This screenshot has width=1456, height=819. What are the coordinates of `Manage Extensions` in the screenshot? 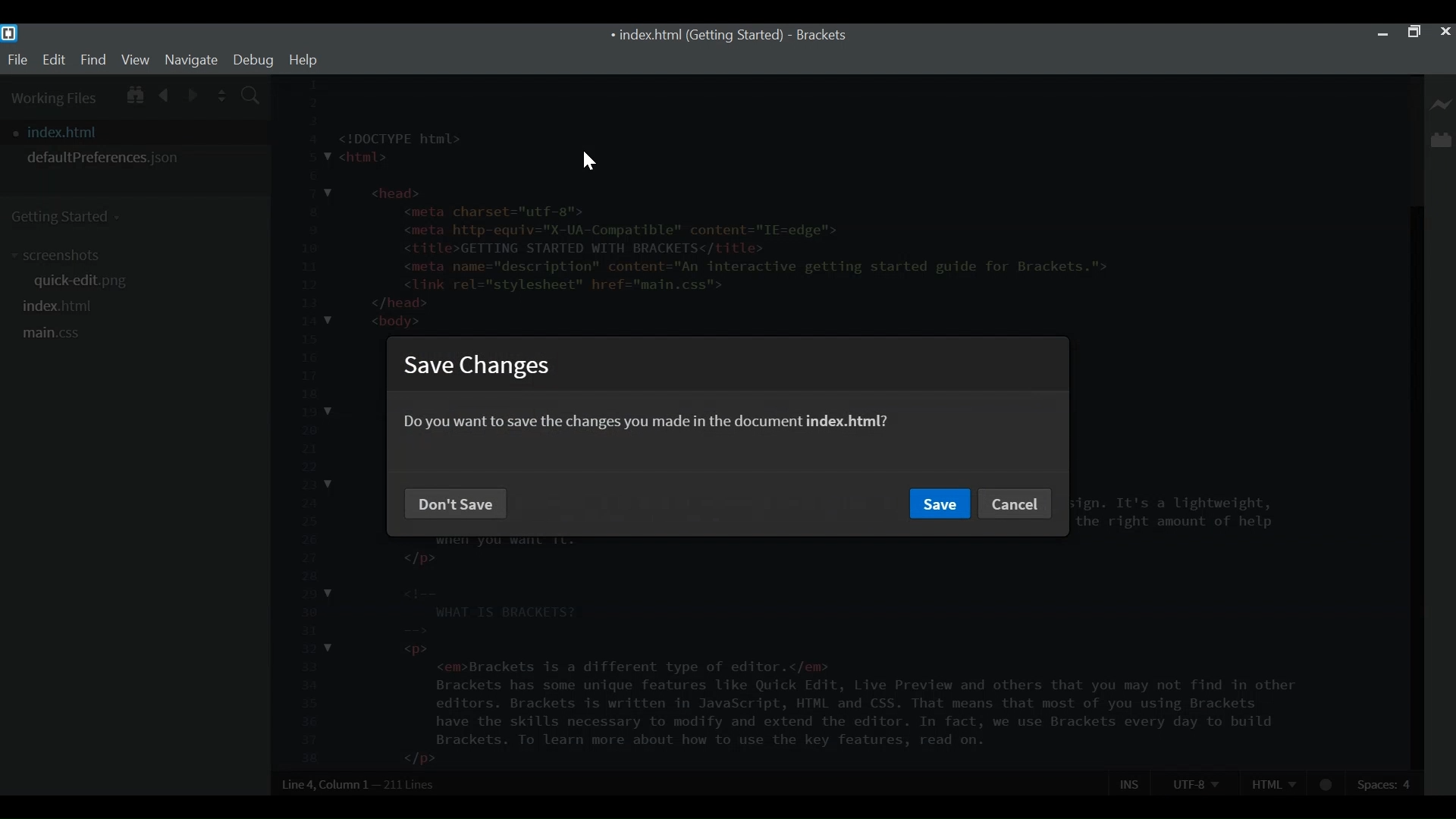 It's located at (1441, 140).